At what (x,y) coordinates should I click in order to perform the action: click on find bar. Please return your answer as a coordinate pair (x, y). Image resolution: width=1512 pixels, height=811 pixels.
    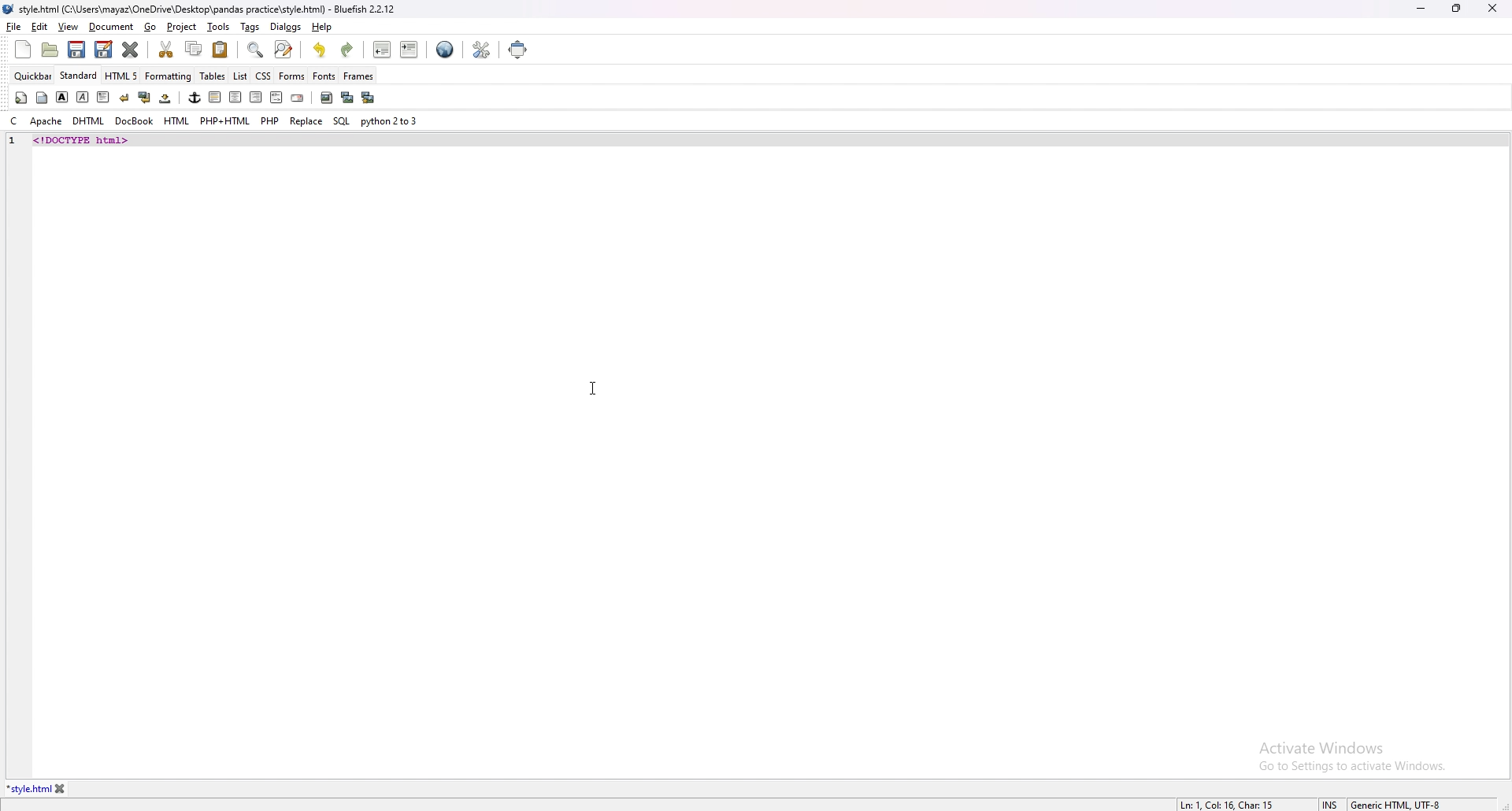
    Looking at the image, I should click on (256, 50).